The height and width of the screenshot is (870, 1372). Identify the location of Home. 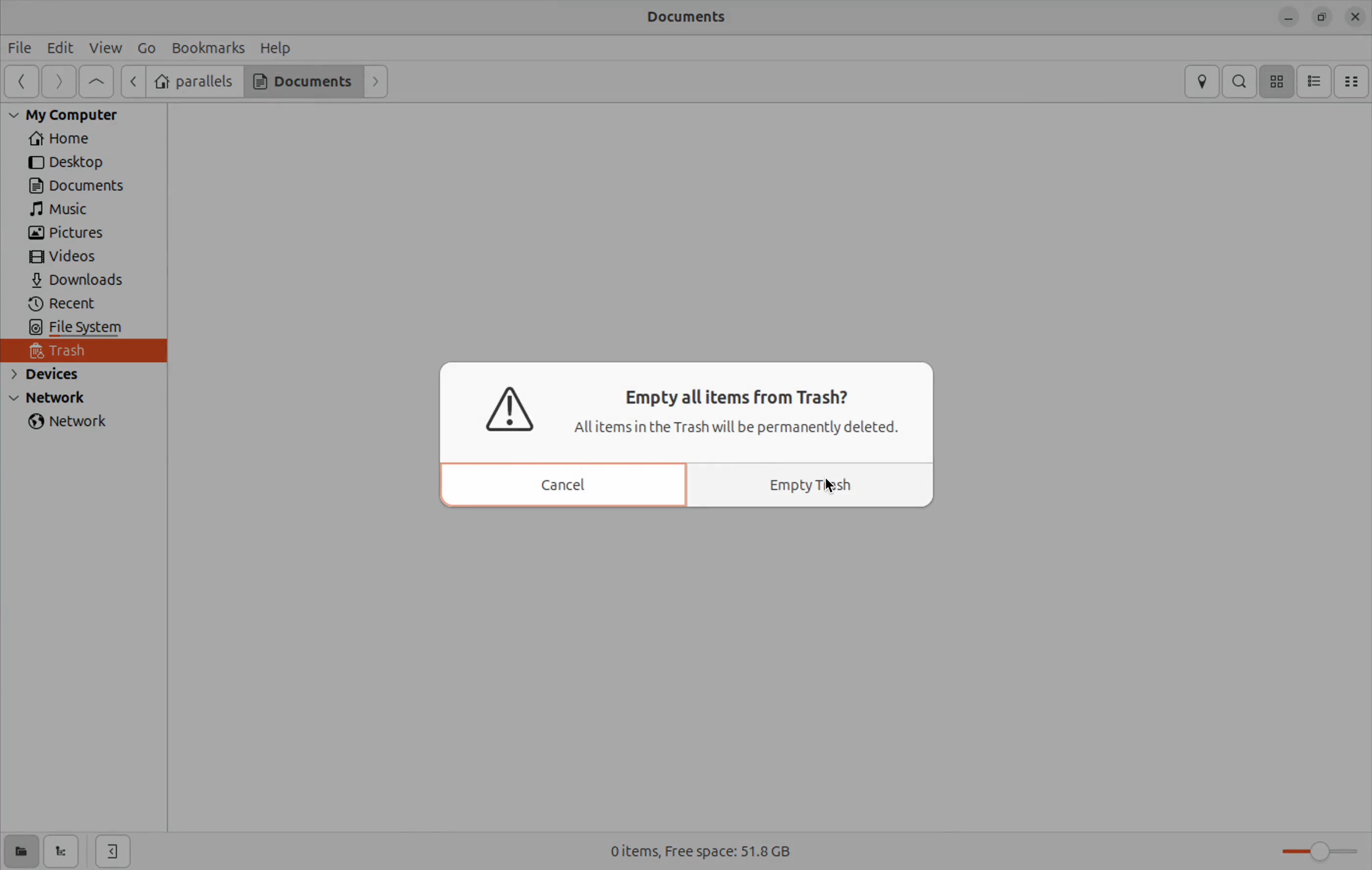
(72, 139).